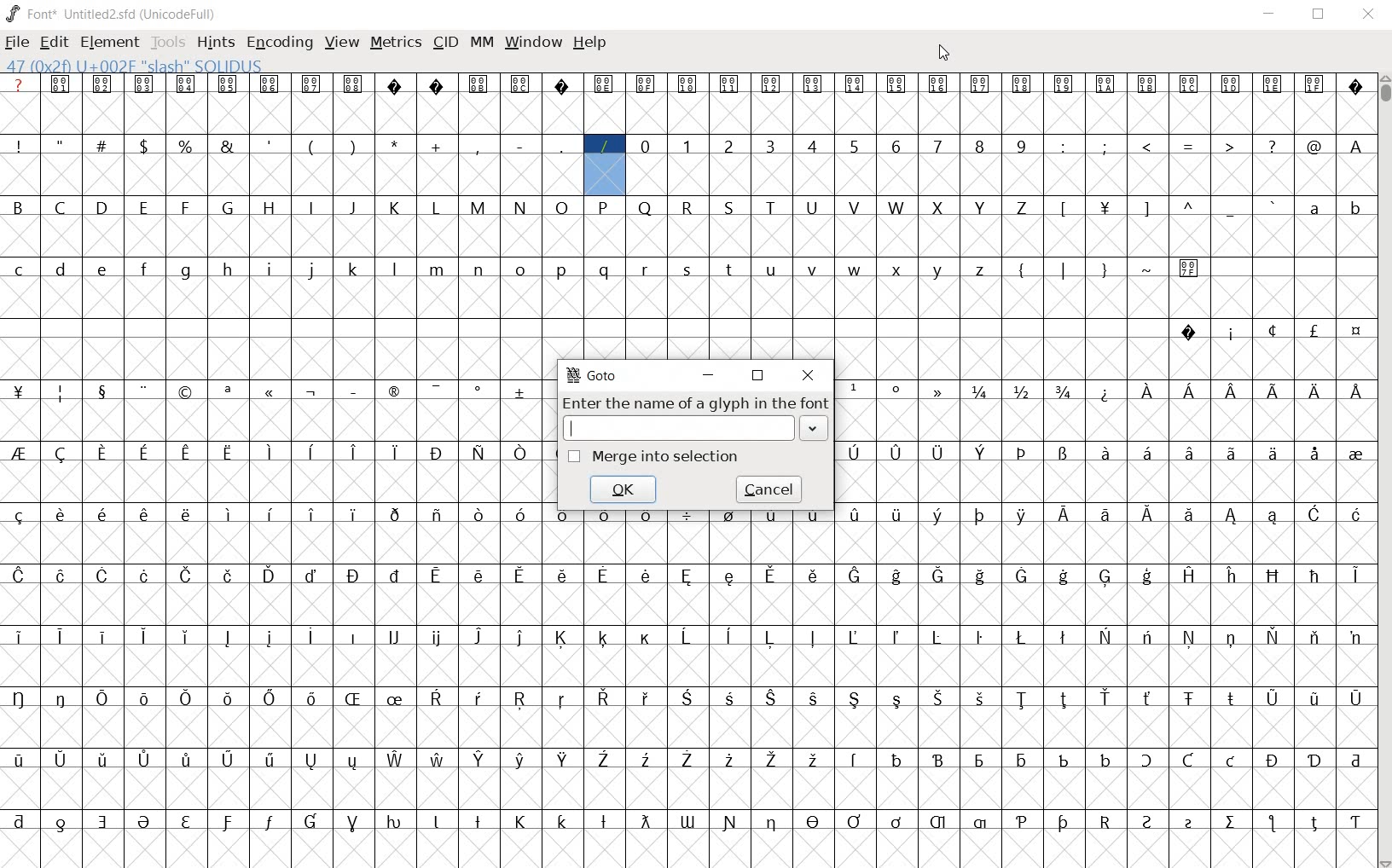  I want to click on glyph, so click(939, 698).